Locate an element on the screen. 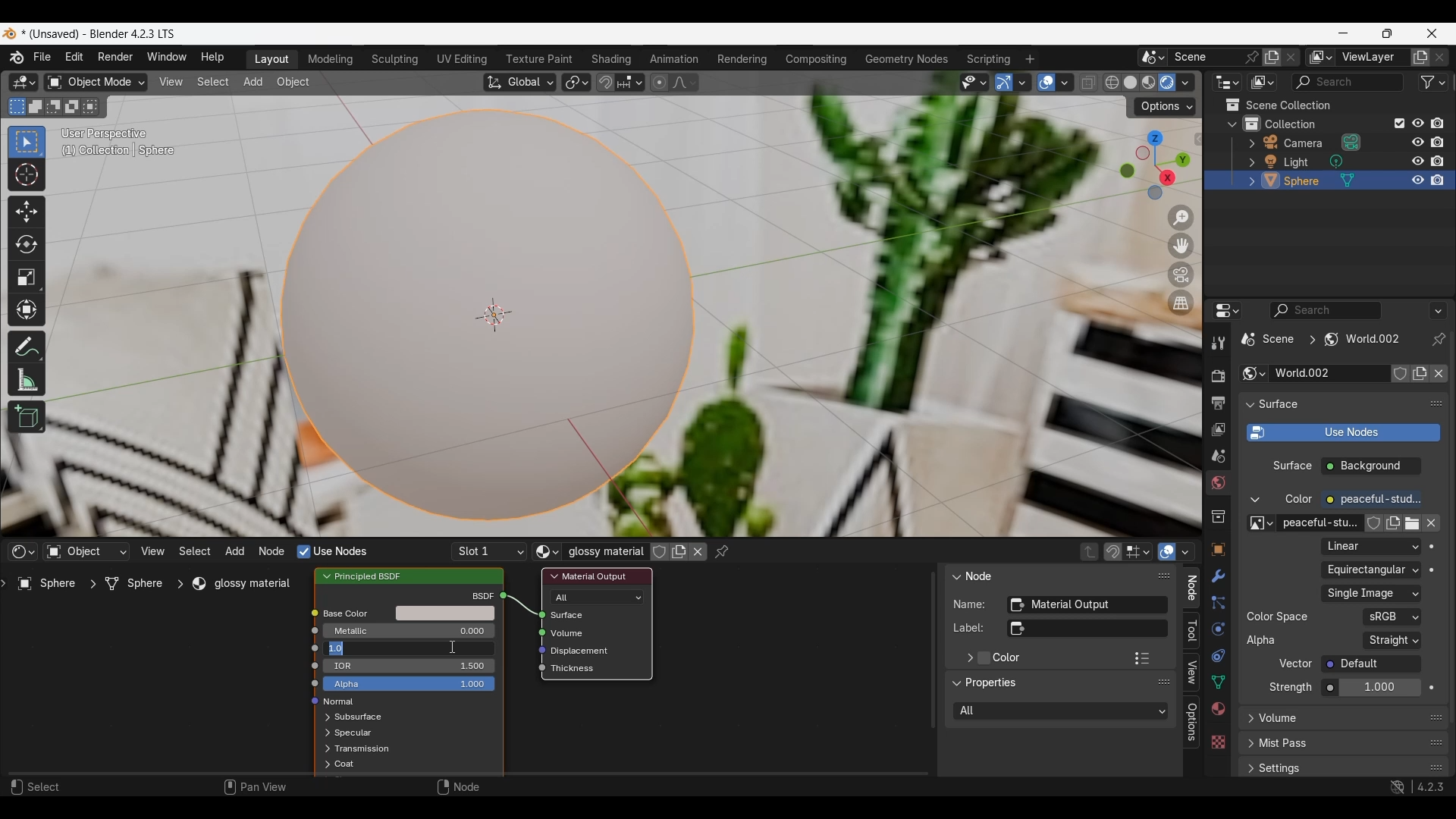  Pinned node tree is located at coordinates (721, 552).